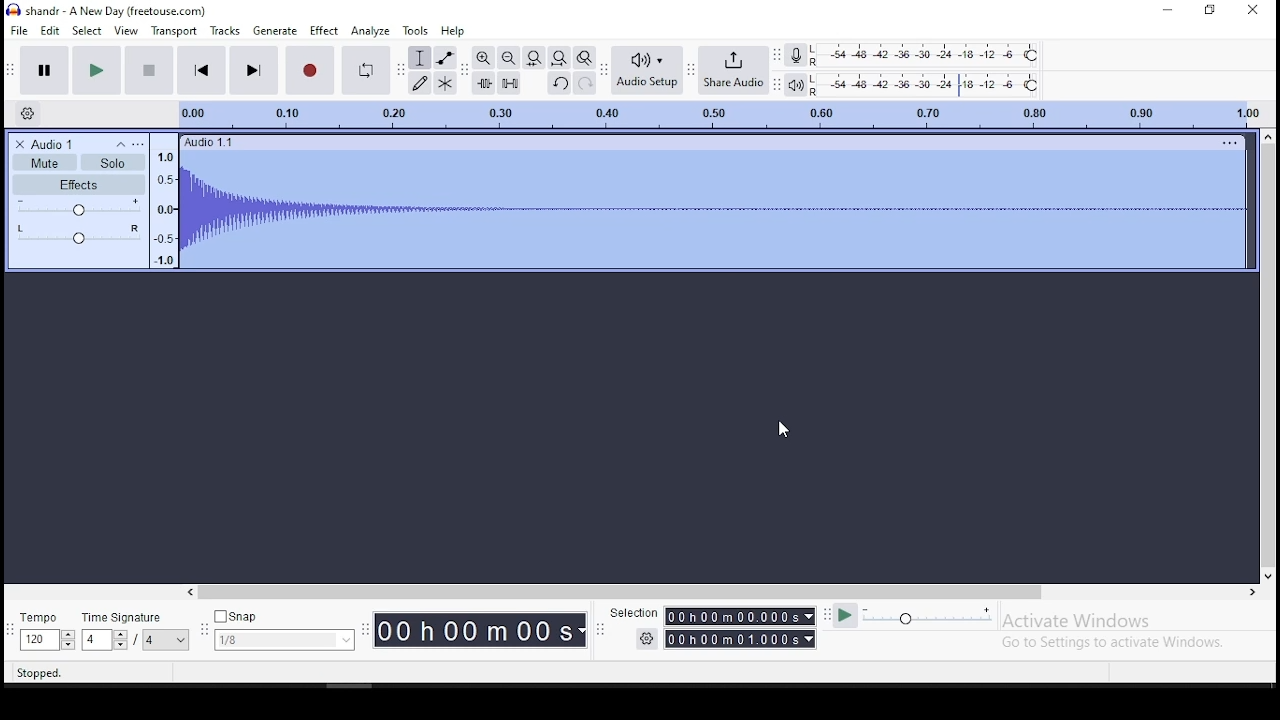 This screenshot has height=720, width=1280. What do you see at coordinates (509, 84) in the screenshot?
I see `silence audio signal` at bounding box center [509, 84].